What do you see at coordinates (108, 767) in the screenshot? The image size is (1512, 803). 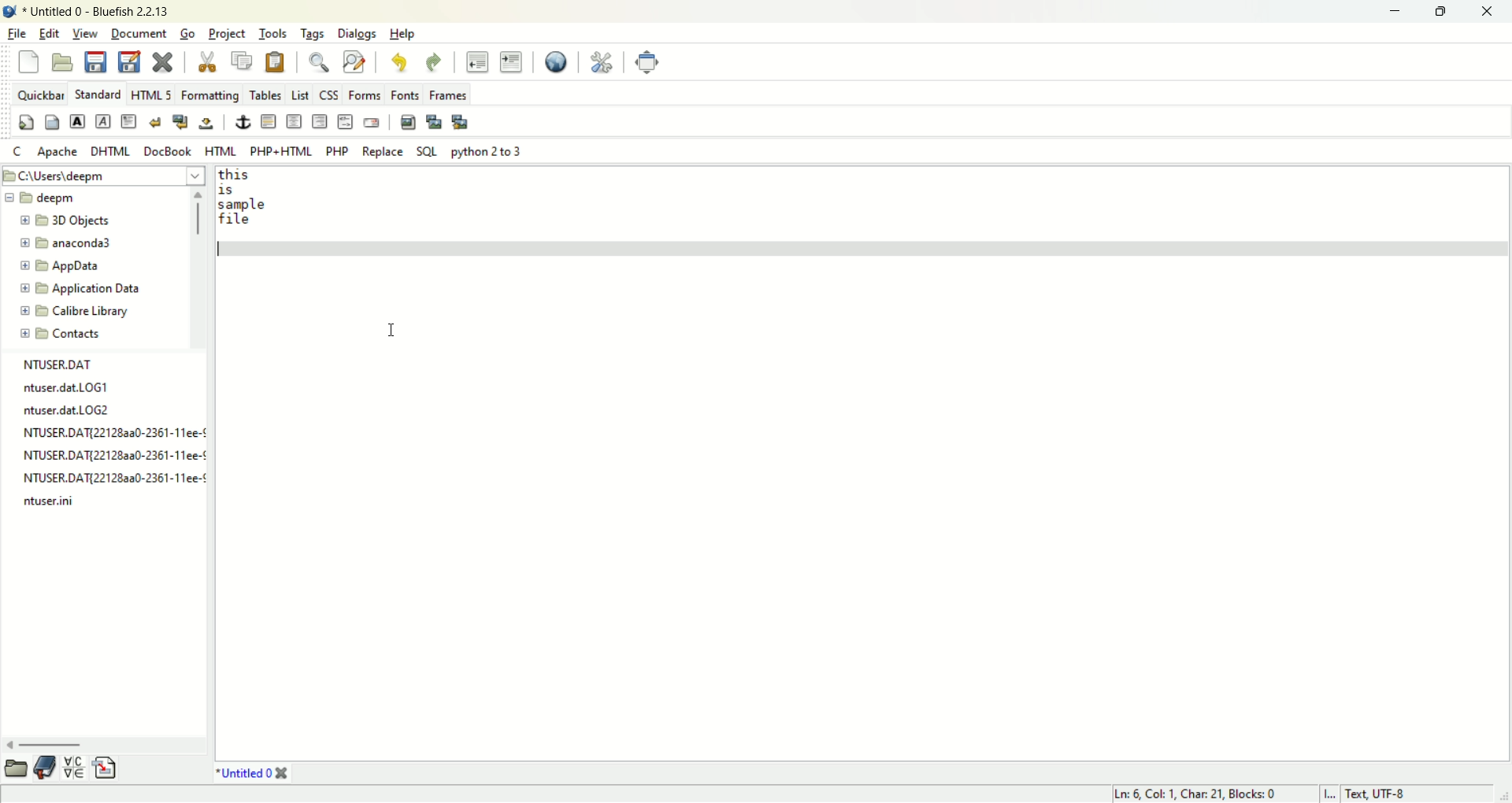 I see `snippet` at bounding box center [108, 767].